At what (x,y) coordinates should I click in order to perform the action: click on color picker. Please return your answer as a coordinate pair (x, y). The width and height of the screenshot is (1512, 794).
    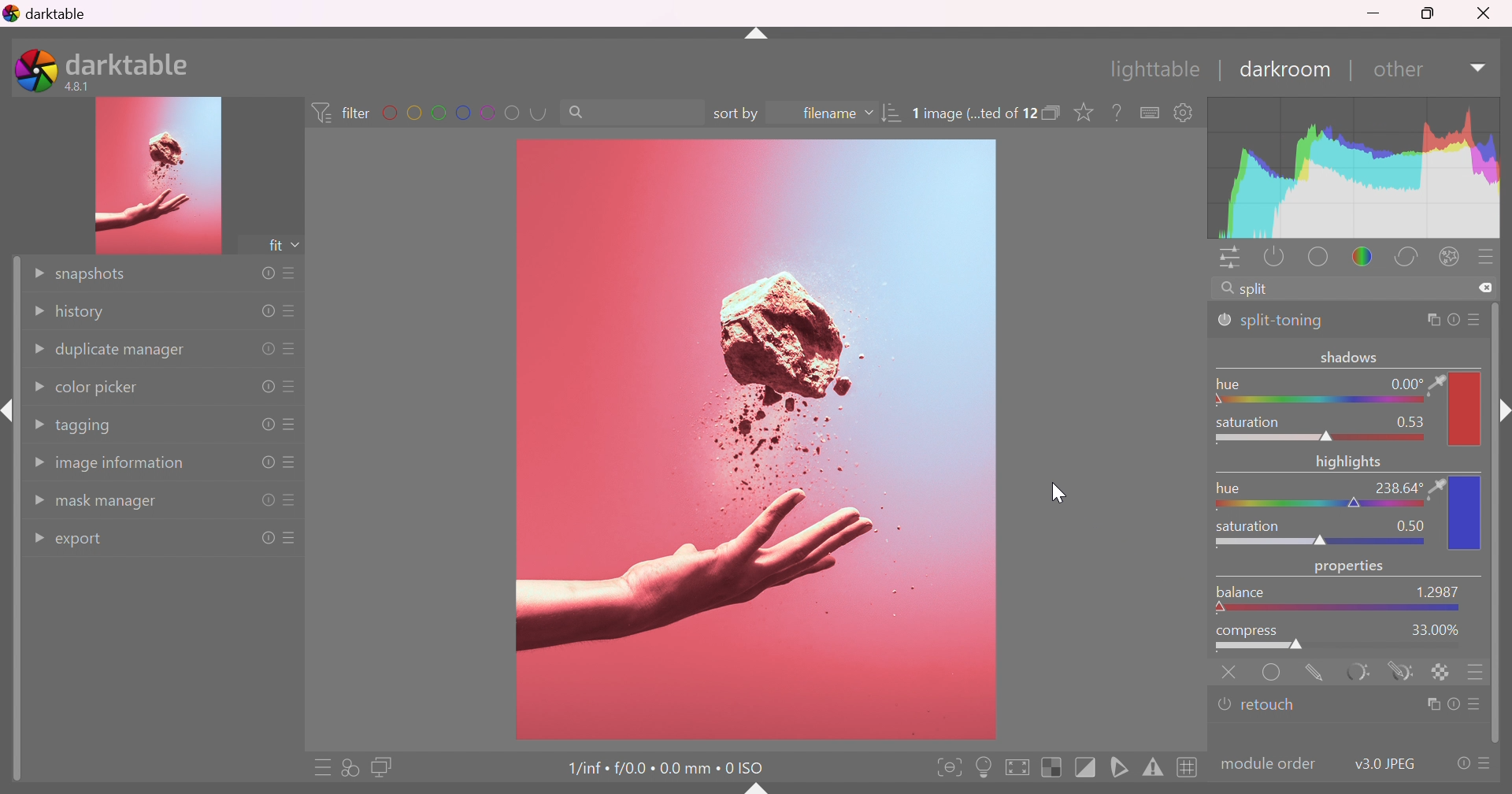
    Looking at the image, I should click on (101, 389).